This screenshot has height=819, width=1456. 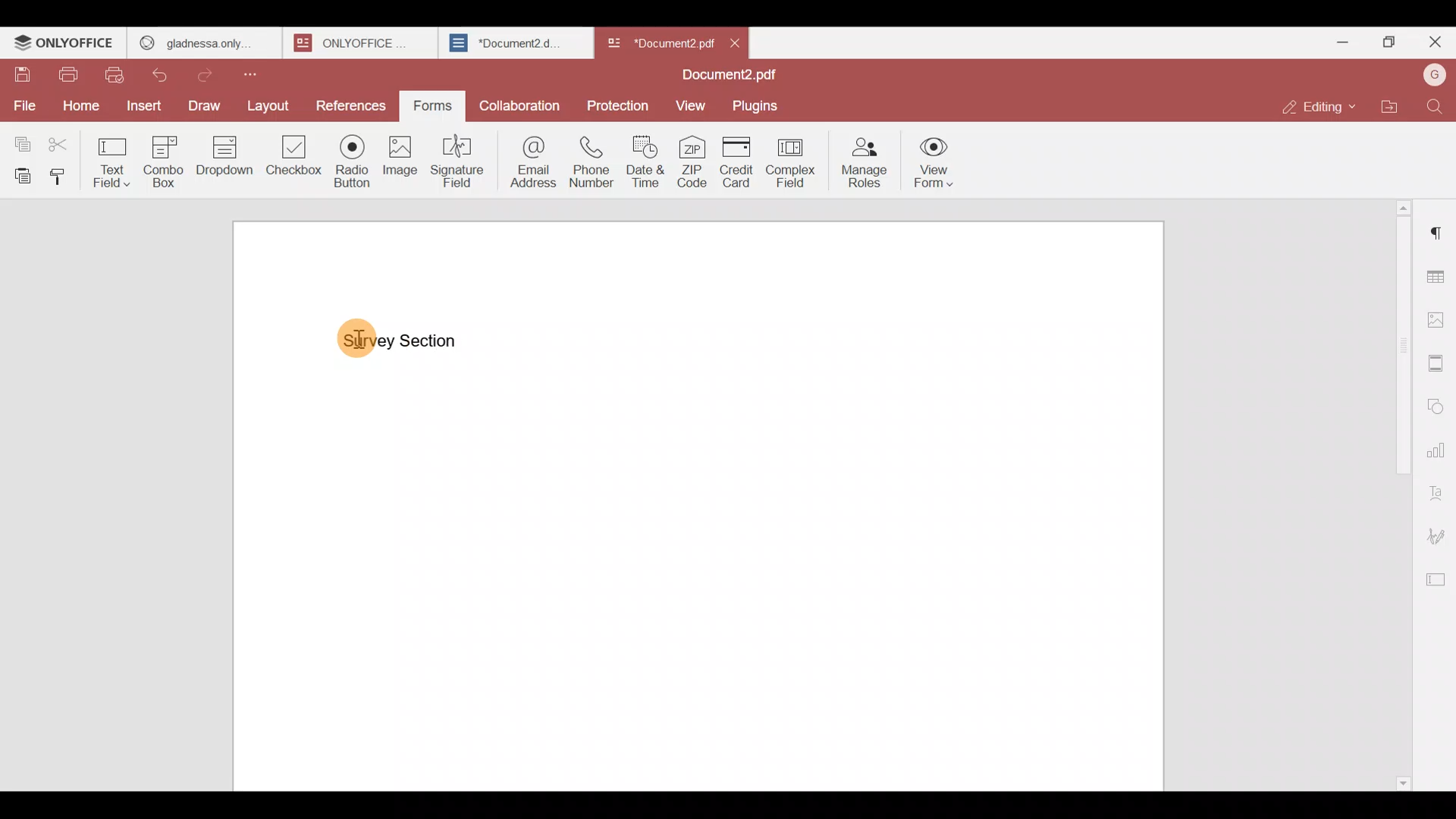 What do you see at coordinates (931, 162) in the screenshot?
I see `View form` at bounding box center [931, 162].